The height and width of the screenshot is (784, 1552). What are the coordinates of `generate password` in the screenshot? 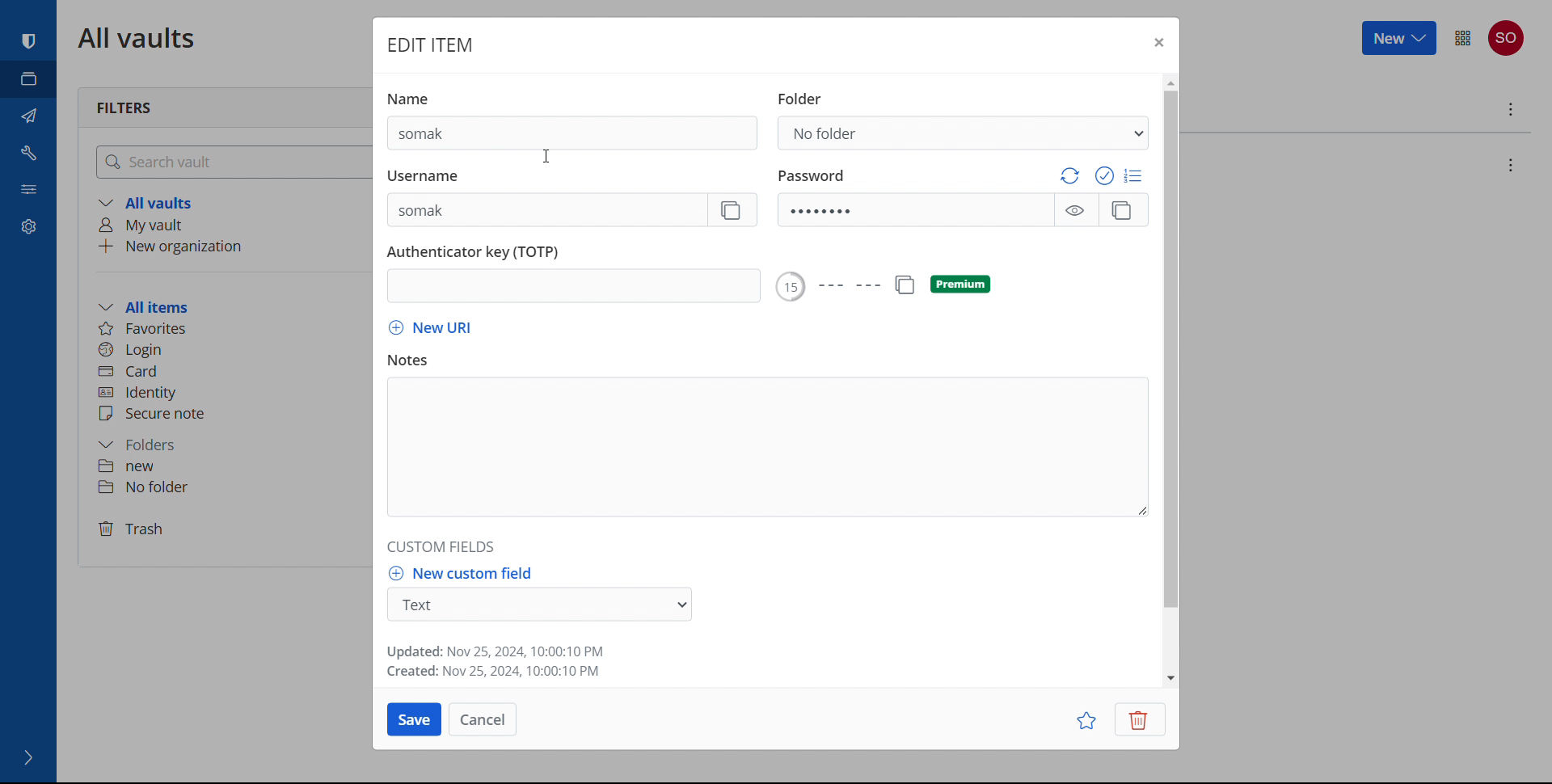 It's located at (1069, 175).